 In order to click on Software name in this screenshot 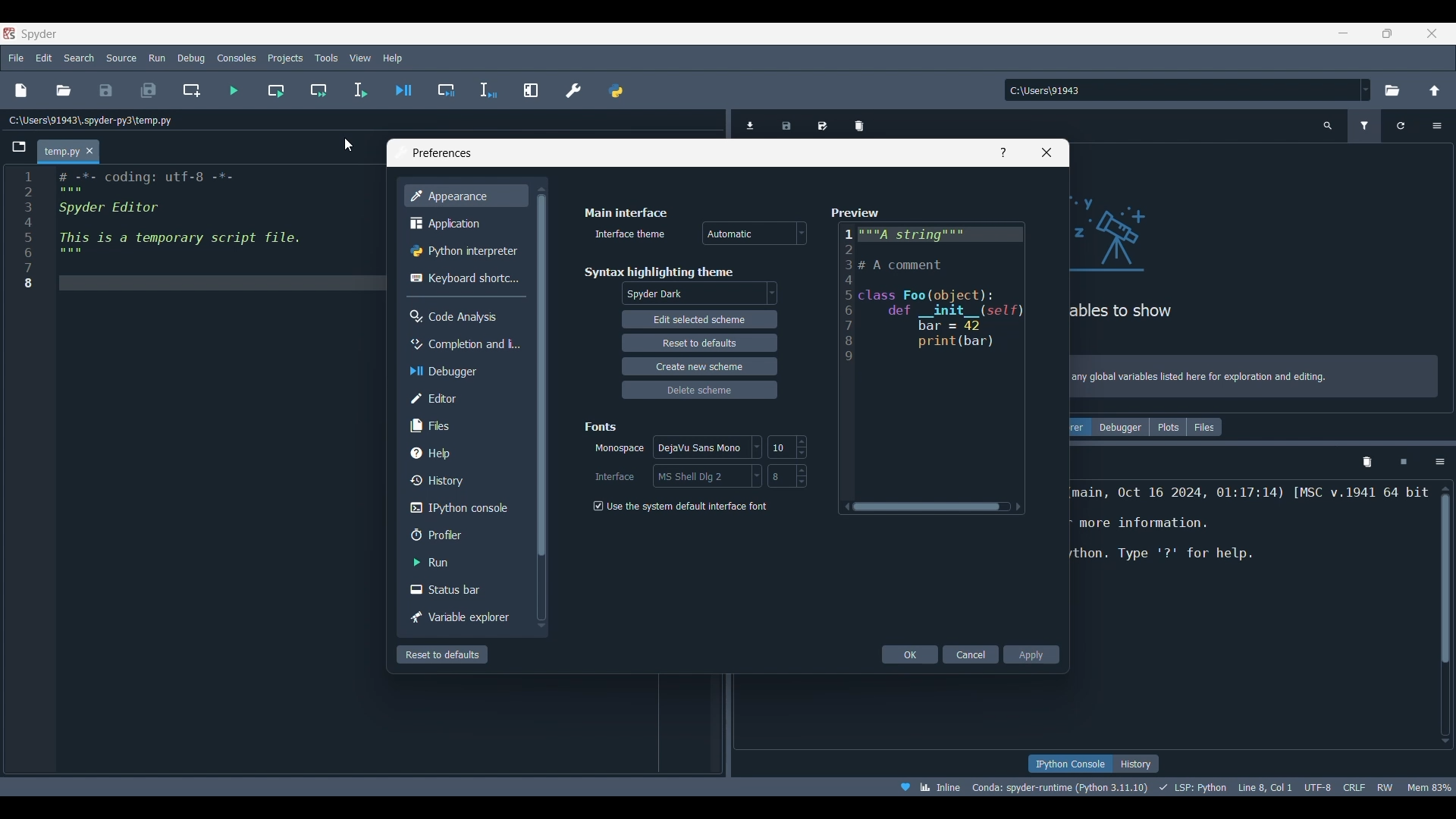, I will do `click(39, 34)`.